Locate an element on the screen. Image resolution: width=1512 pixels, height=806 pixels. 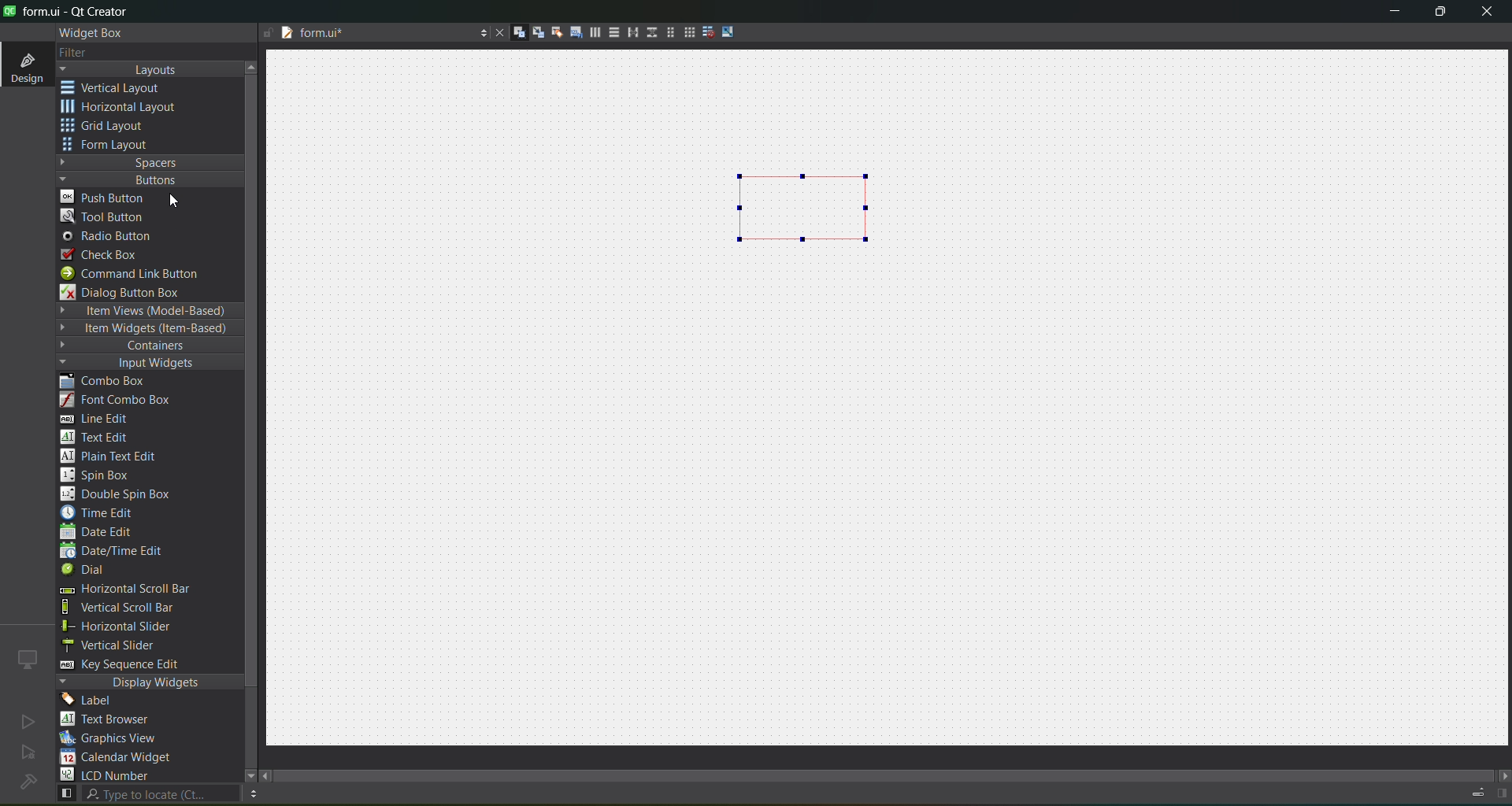
date edit is located at coordinates (100, 533).